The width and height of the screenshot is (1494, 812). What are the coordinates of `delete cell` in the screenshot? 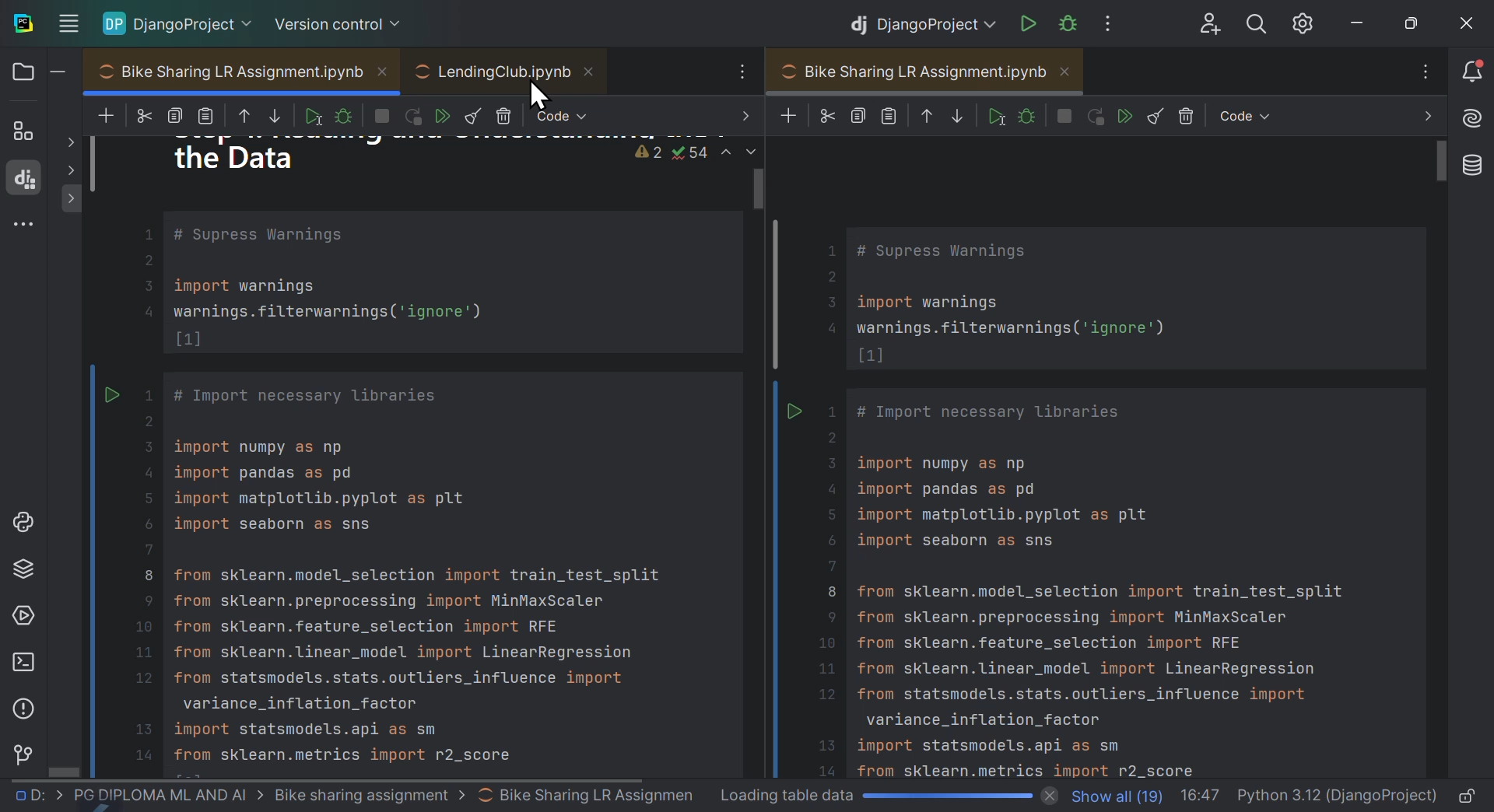 It's located at (1188, 117).